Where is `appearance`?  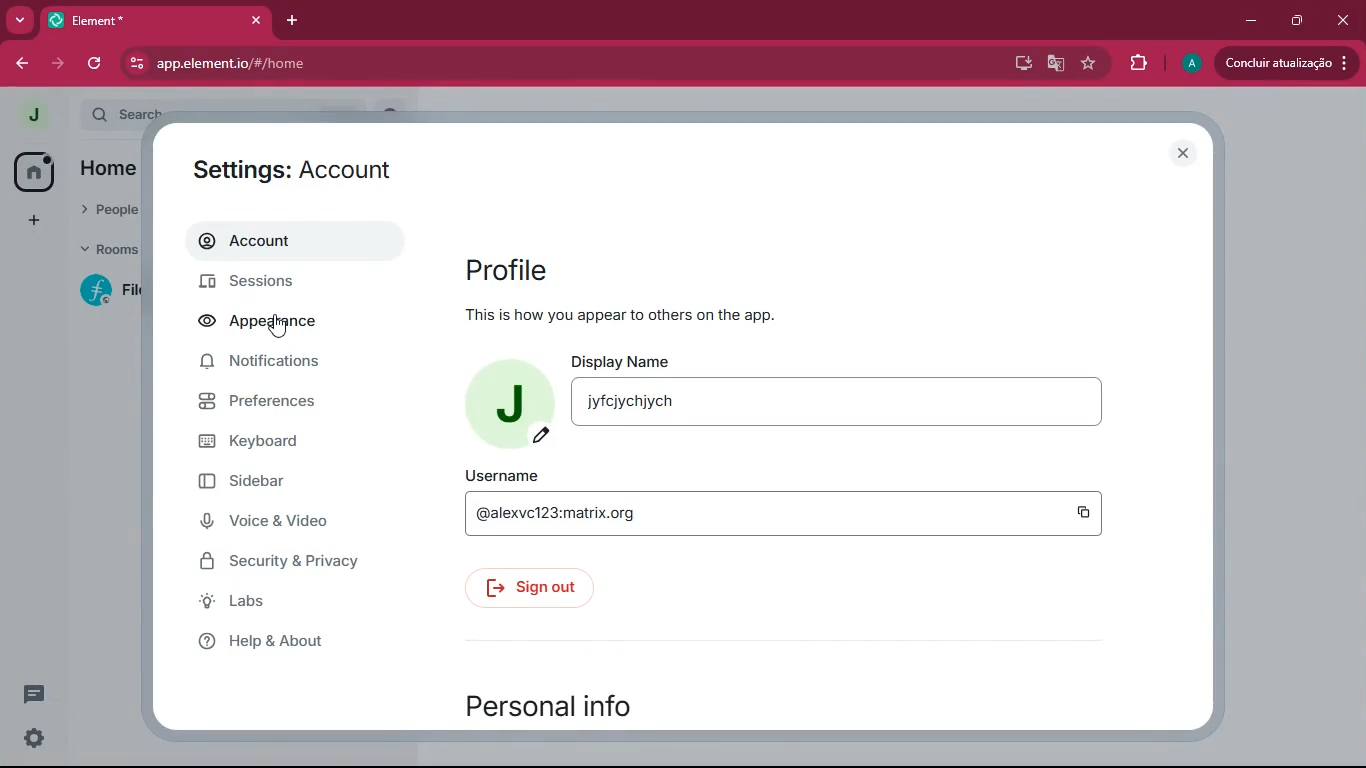 appearance is located at coordinates (273, 323).